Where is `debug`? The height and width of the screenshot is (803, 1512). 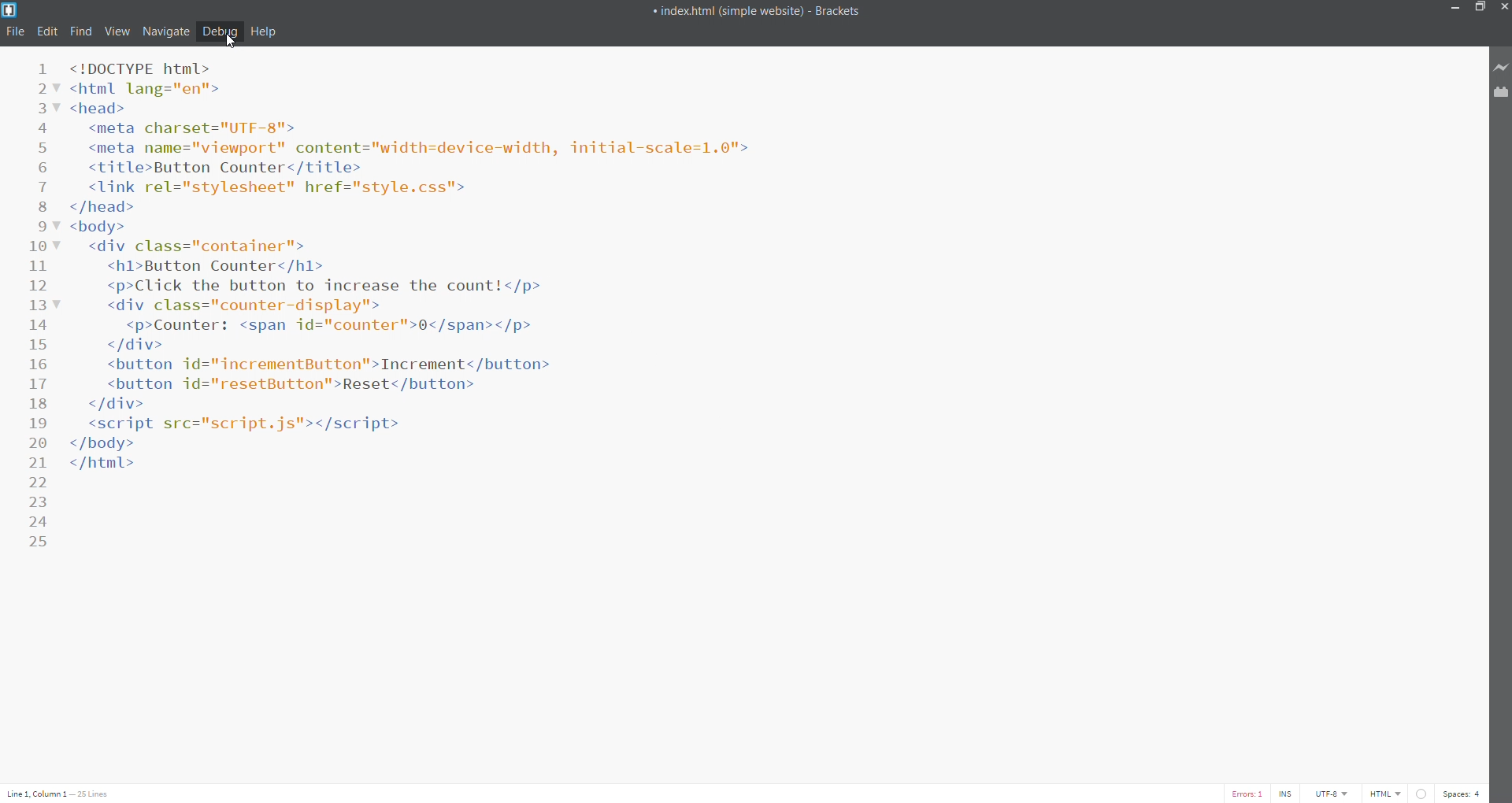 debug is located at coordinates (220, 31).